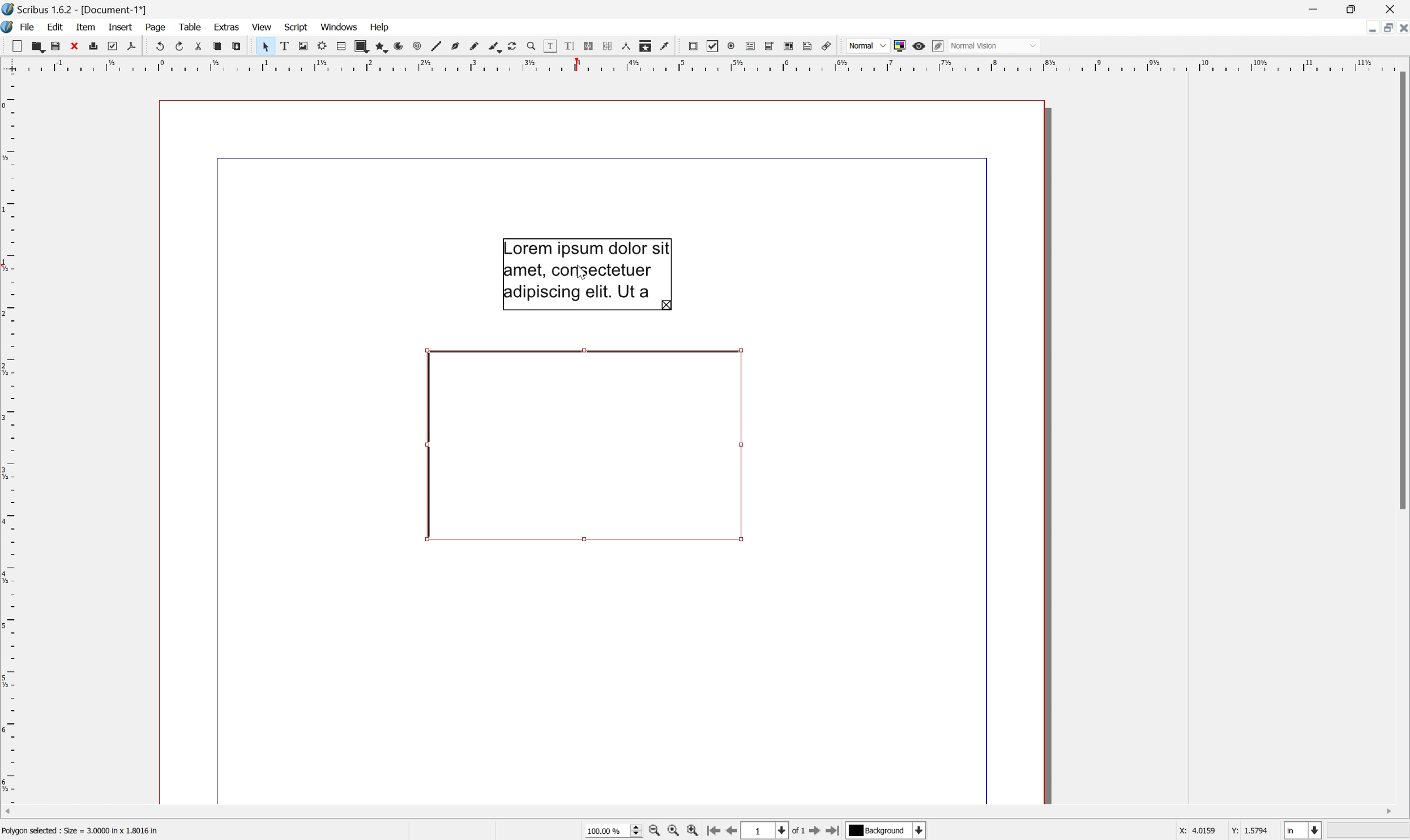  Describe the element at coordinates (887, 832) in the screenshot. I see `Select the current payer` at that location.